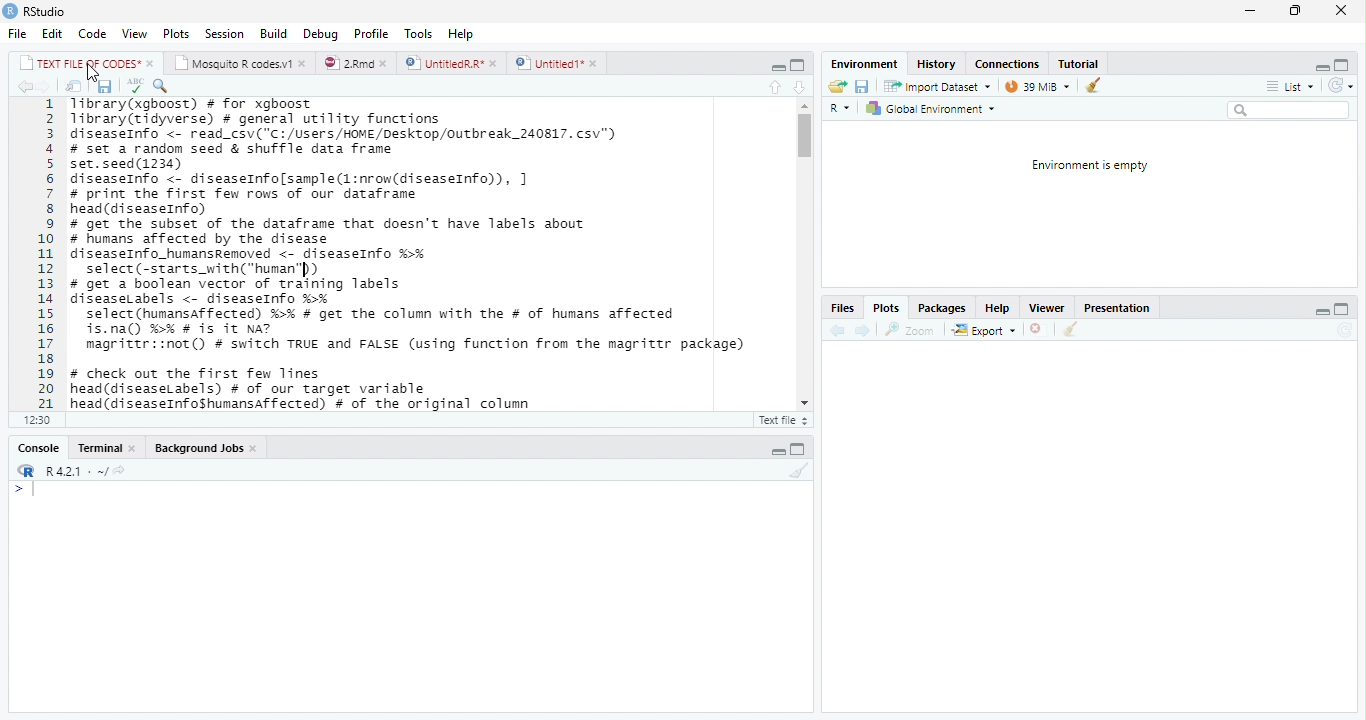 The image size is (1366, 720). What do you see at coordinates (863, 85) in the screenshot?
I see `Save` at bounding box center [863, 85].